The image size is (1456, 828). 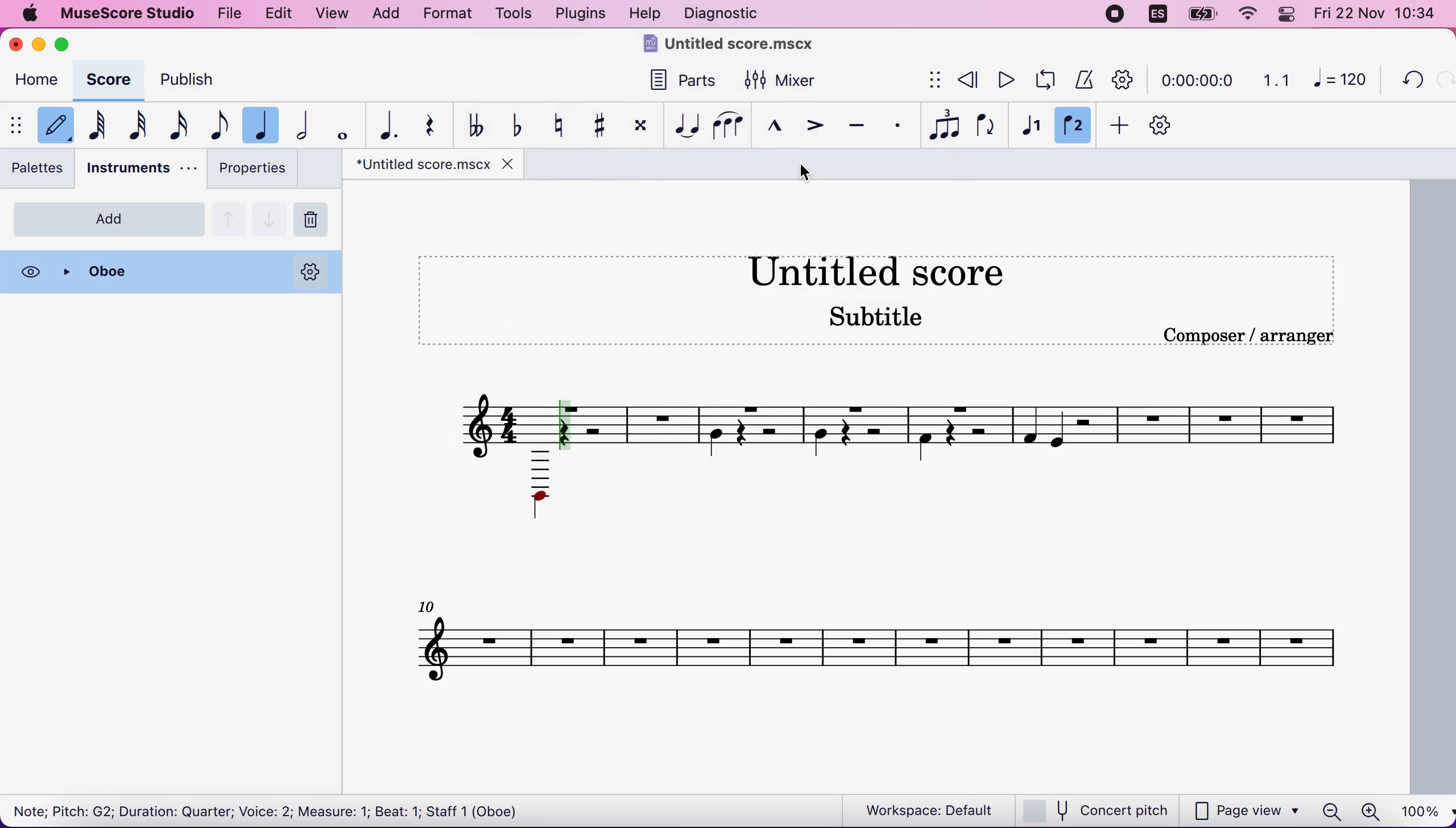 I want to click on wifi, so click(x=1243, y=13).